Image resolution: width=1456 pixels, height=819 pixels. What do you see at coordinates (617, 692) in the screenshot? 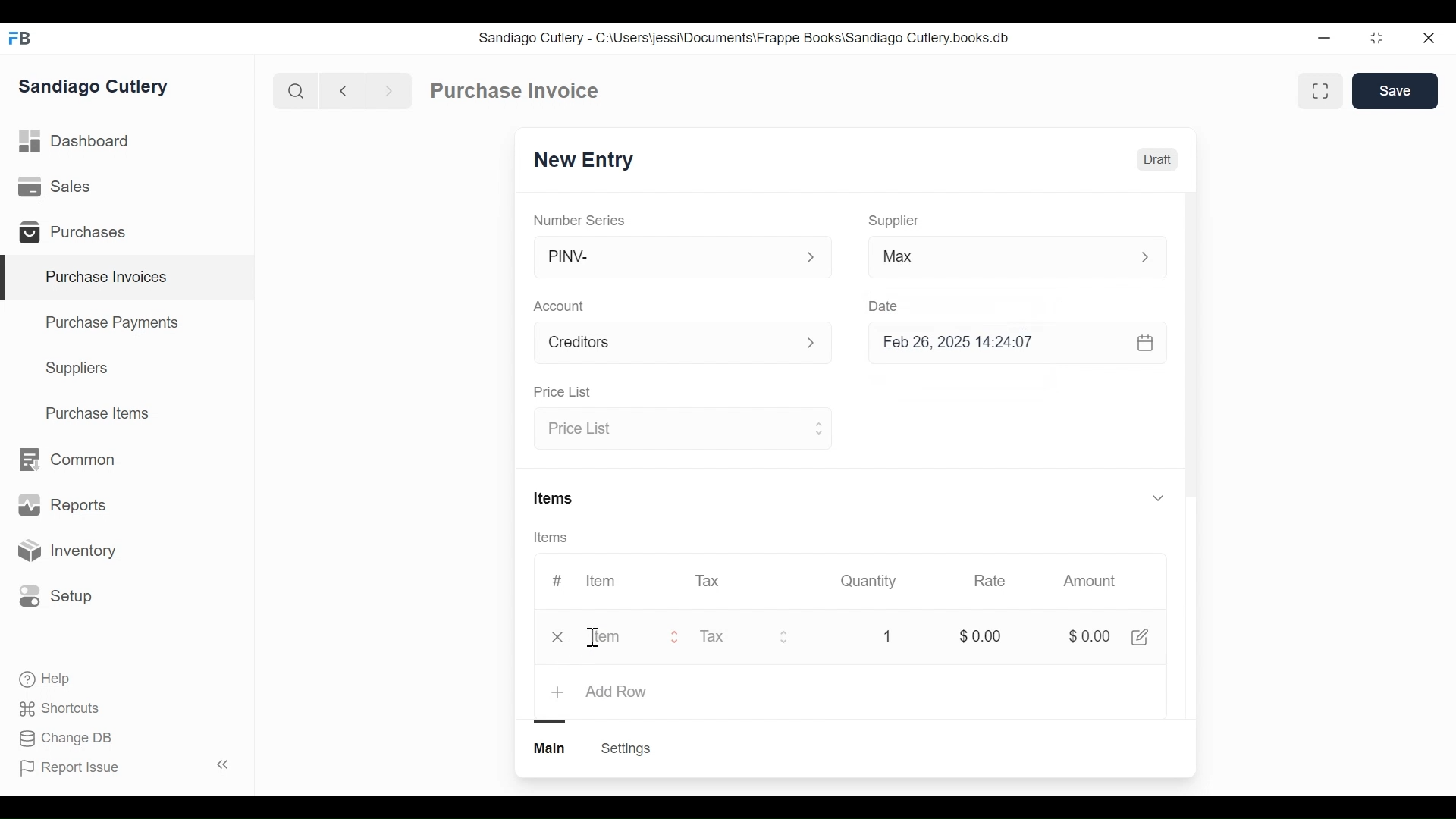
I see `Add Row` at bounding box center [617, 692].